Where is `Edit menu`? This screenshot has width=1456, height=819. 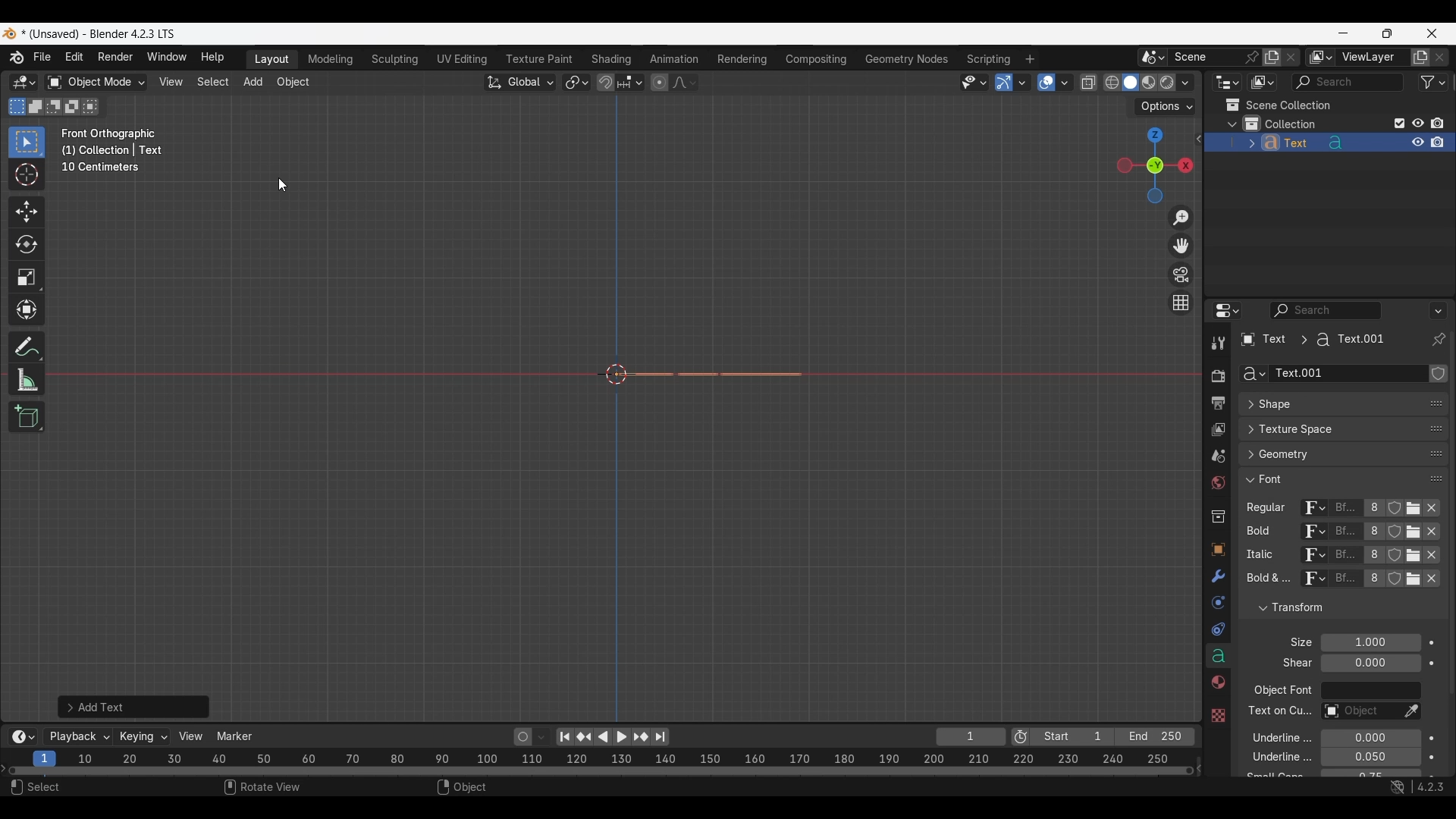 Edit menu is located at coordinates (74, 58).